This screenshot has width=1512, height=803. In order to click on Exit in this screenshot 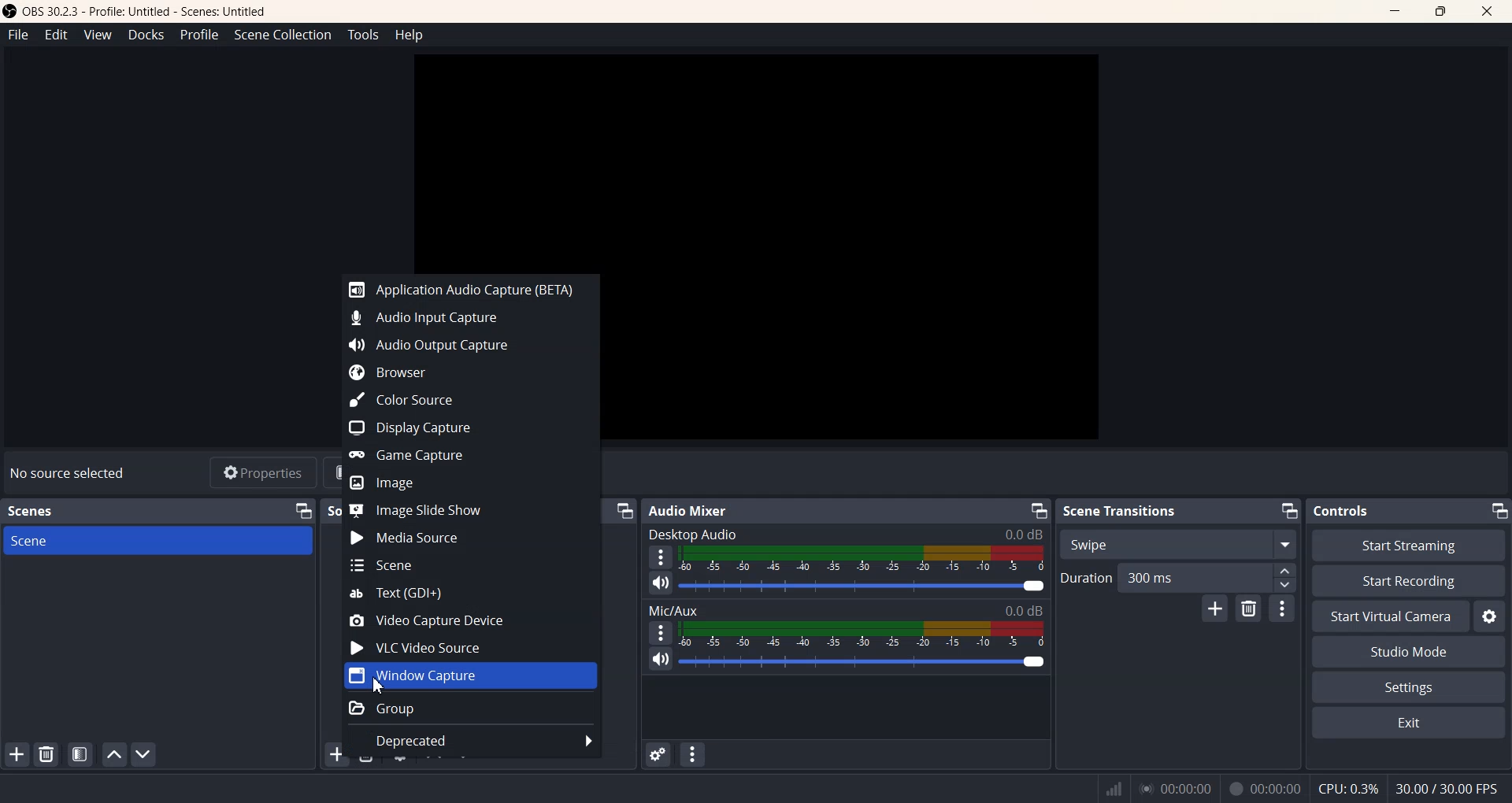, I will do `click(1412, 724)`.